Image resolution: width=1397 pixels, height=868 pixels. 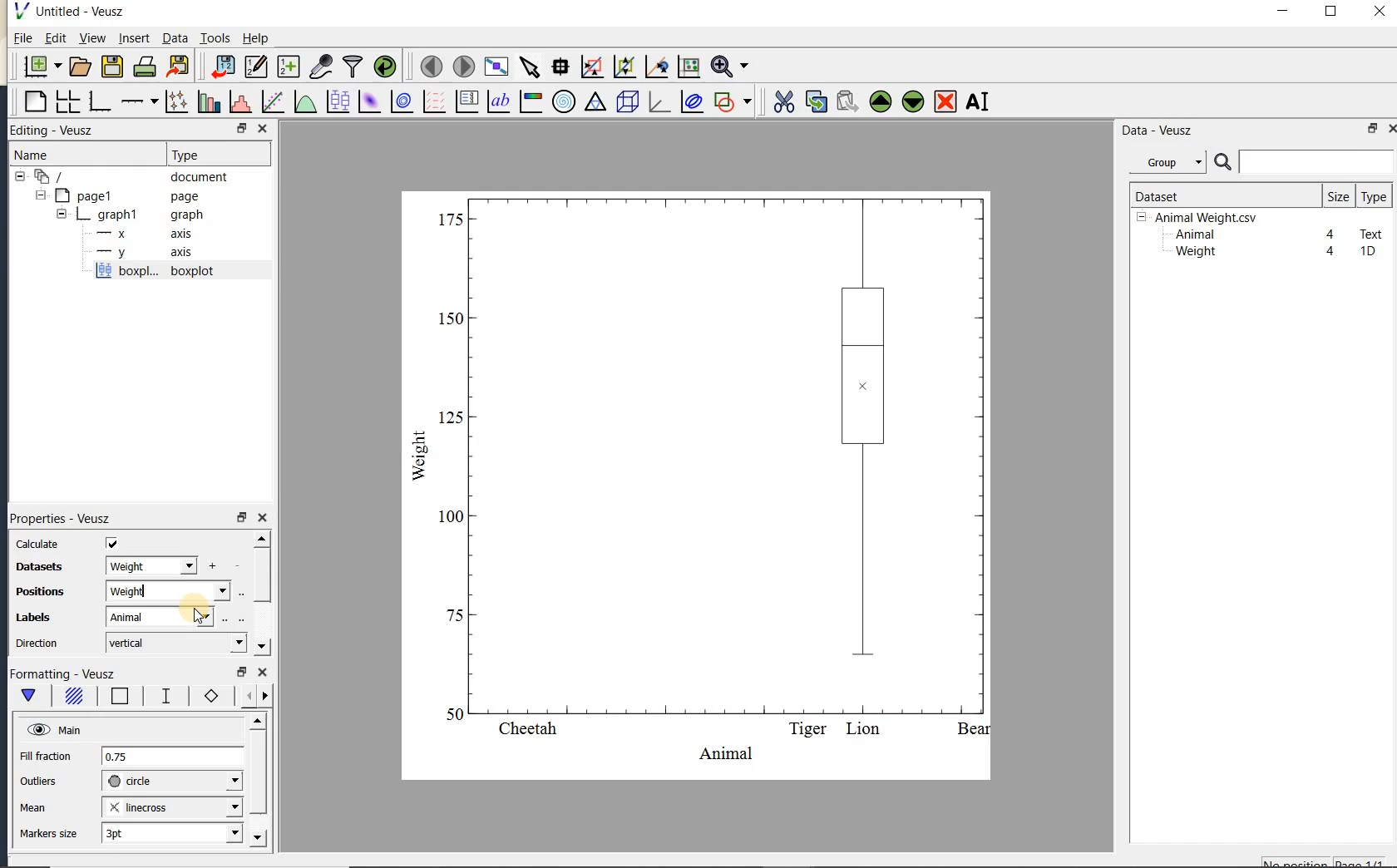 What do you see at coordinates (126, 177) in the screenshot?
I see `document` at bounding box center [126, 177].